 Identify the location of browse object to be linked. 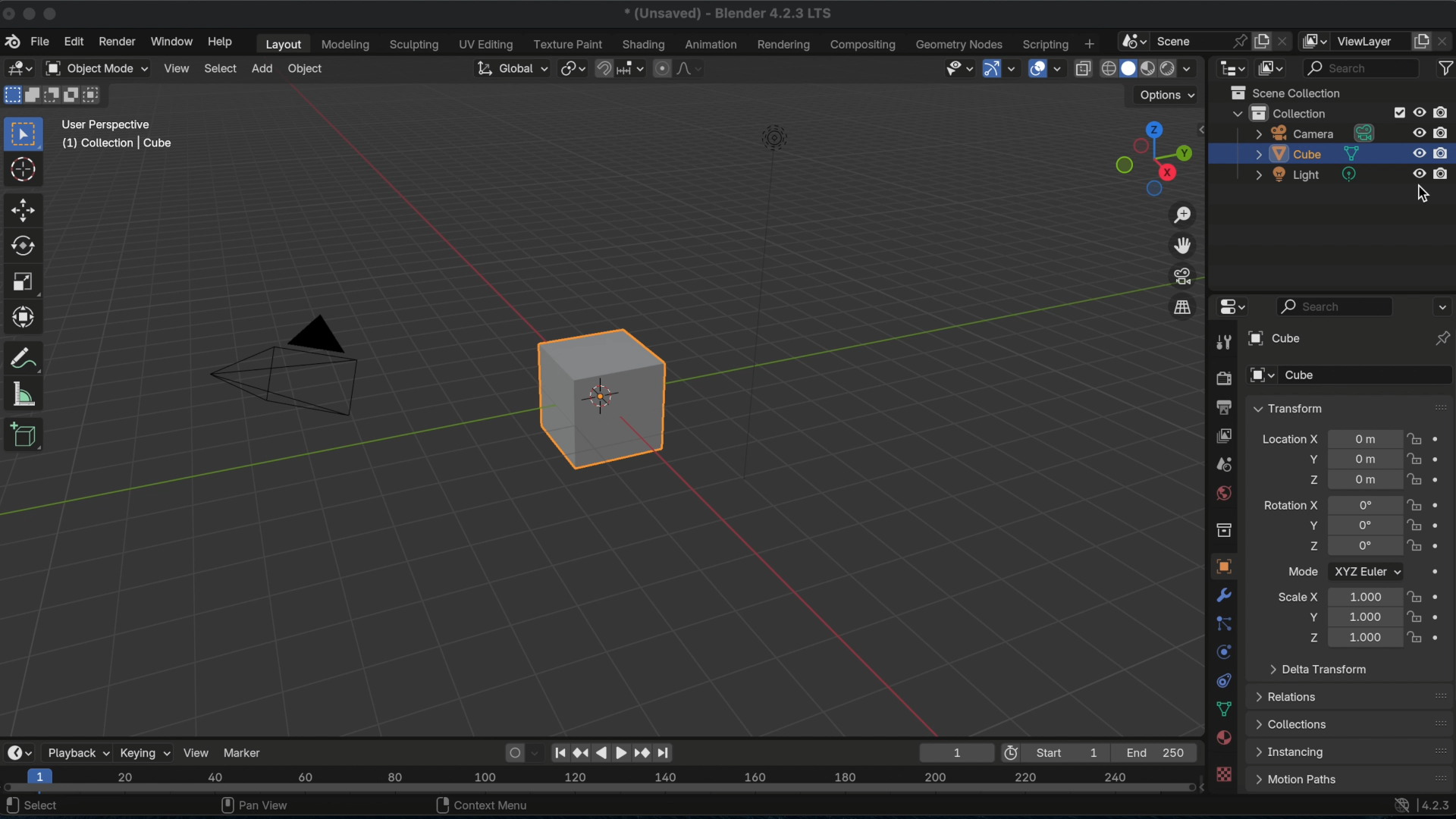
(1276, 338).